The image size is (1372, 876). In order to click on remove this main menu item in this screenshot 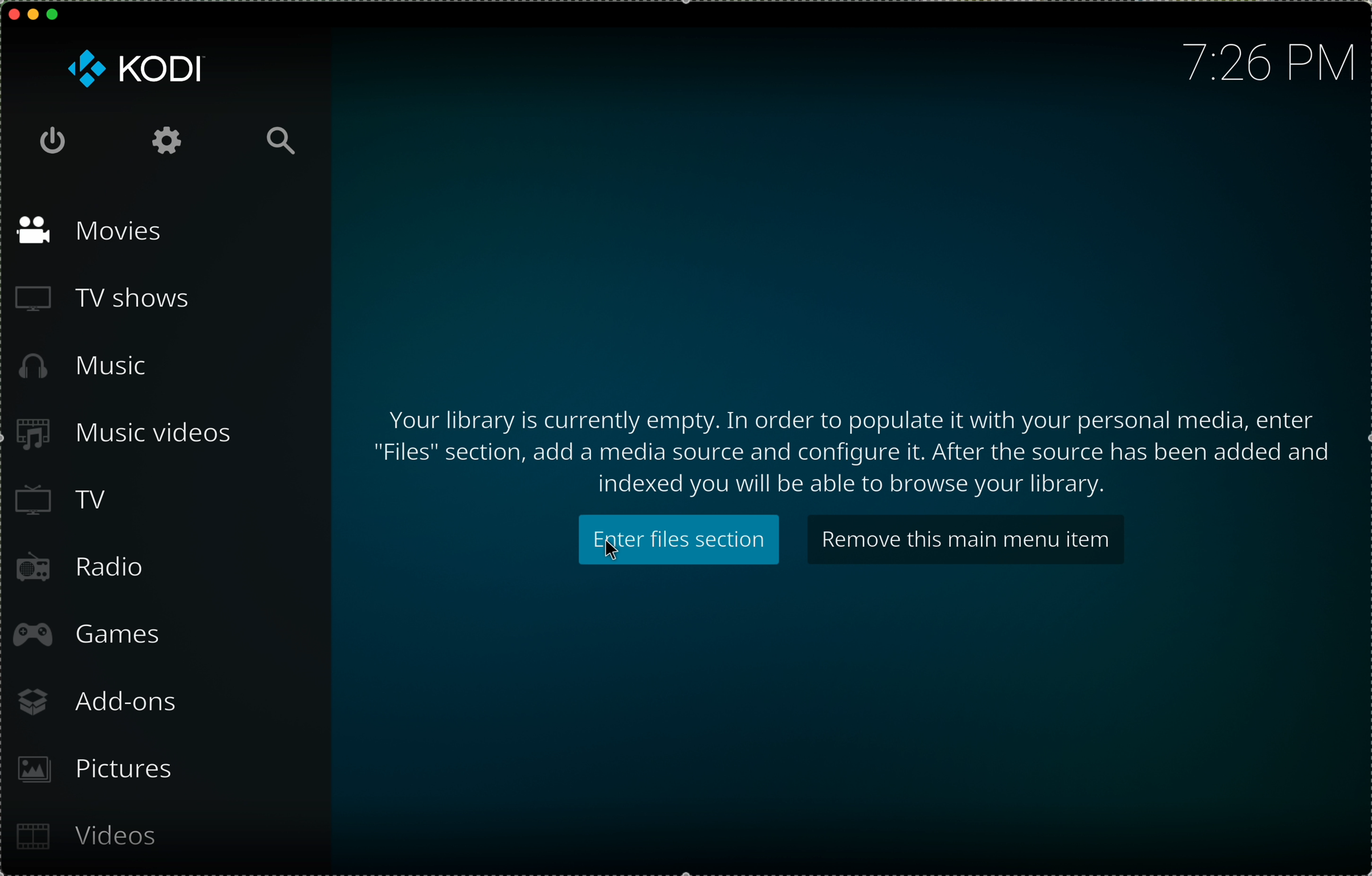, I will do `click(967, 538)`.